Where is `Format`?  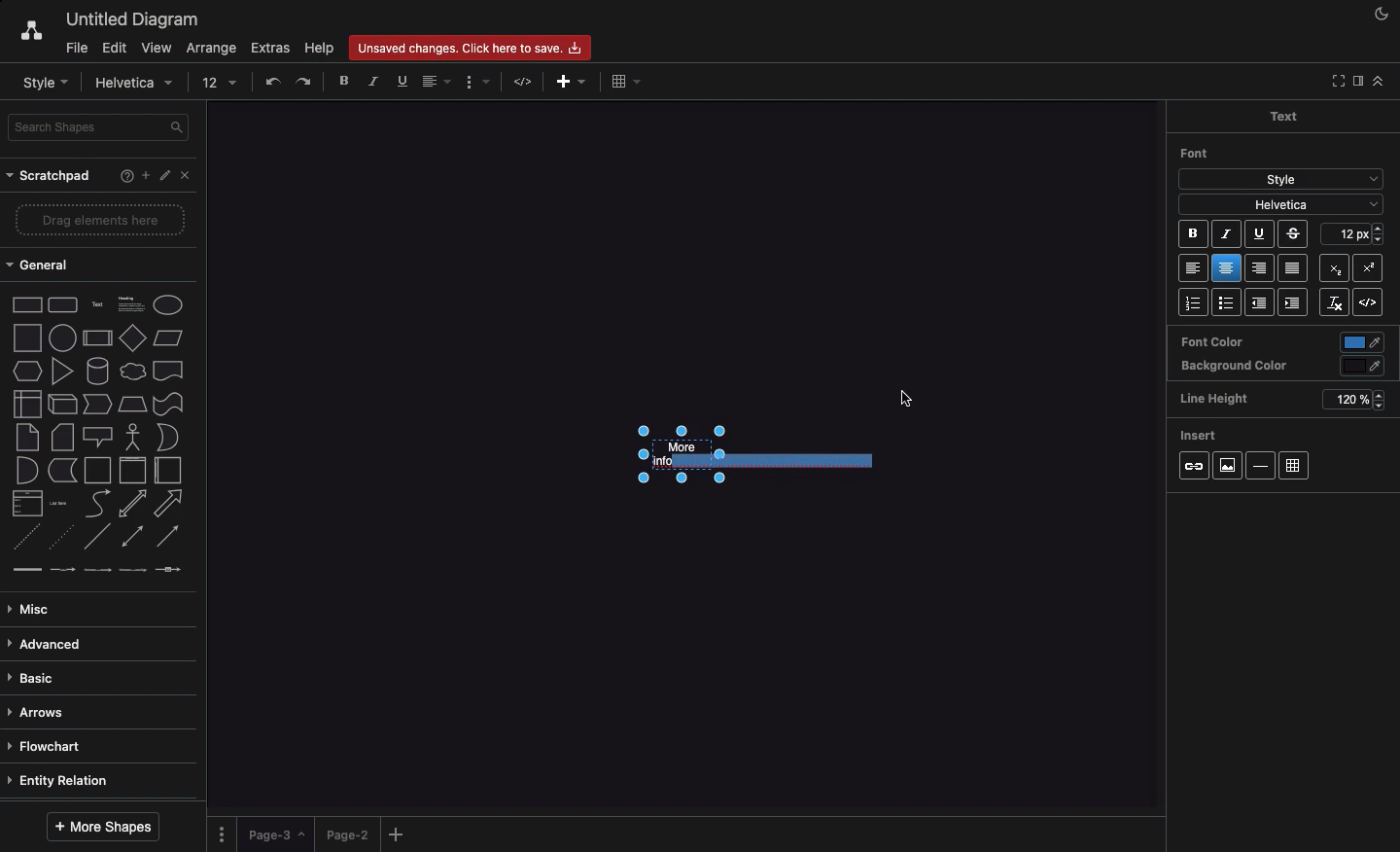 Format is located at coordinates (477, 83).